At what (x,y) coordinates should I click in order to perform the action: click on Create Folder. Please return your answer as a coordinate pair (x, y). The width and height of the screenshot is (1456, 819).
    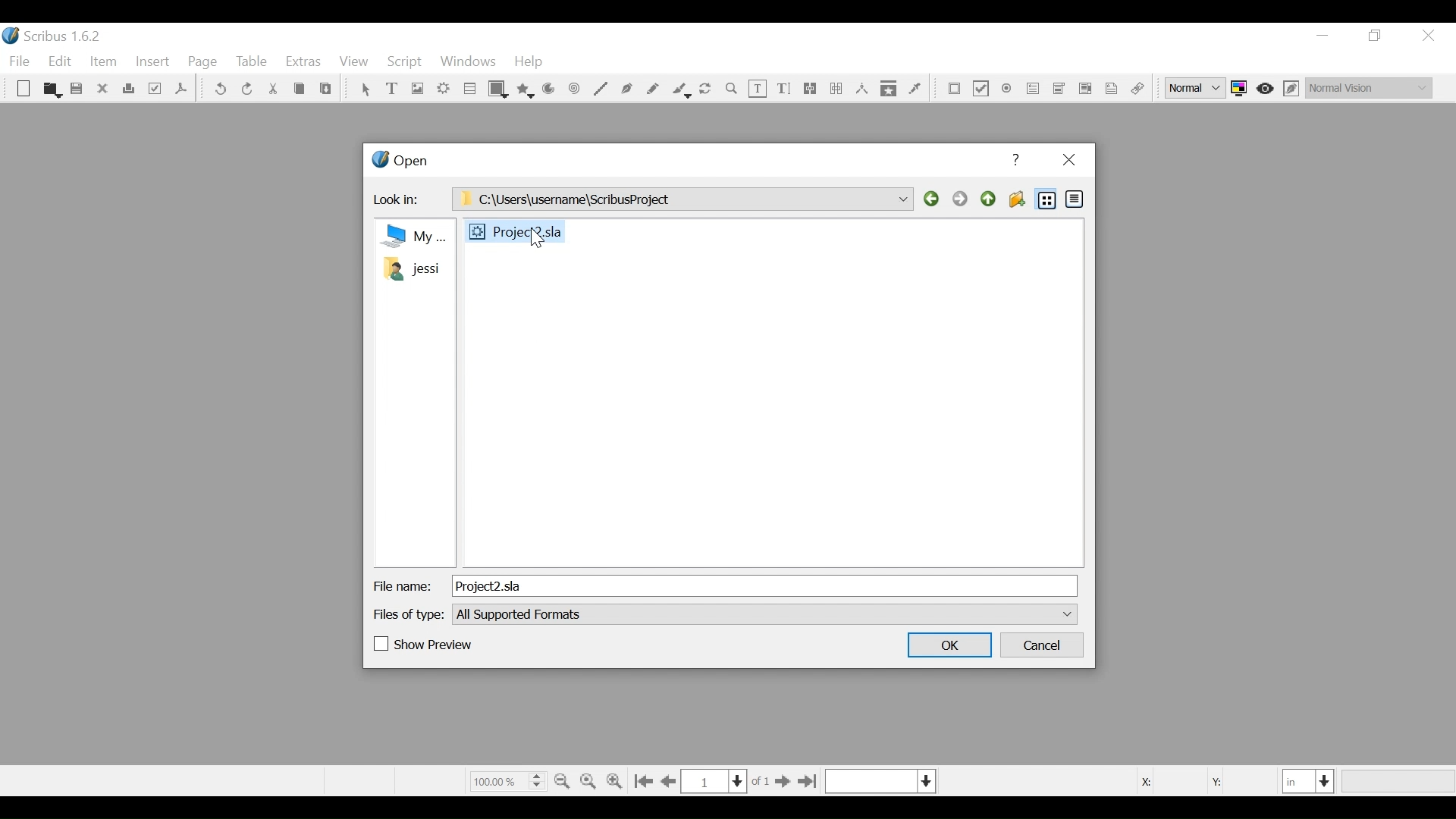
    Looking at the image, I should click on (1016, 199).